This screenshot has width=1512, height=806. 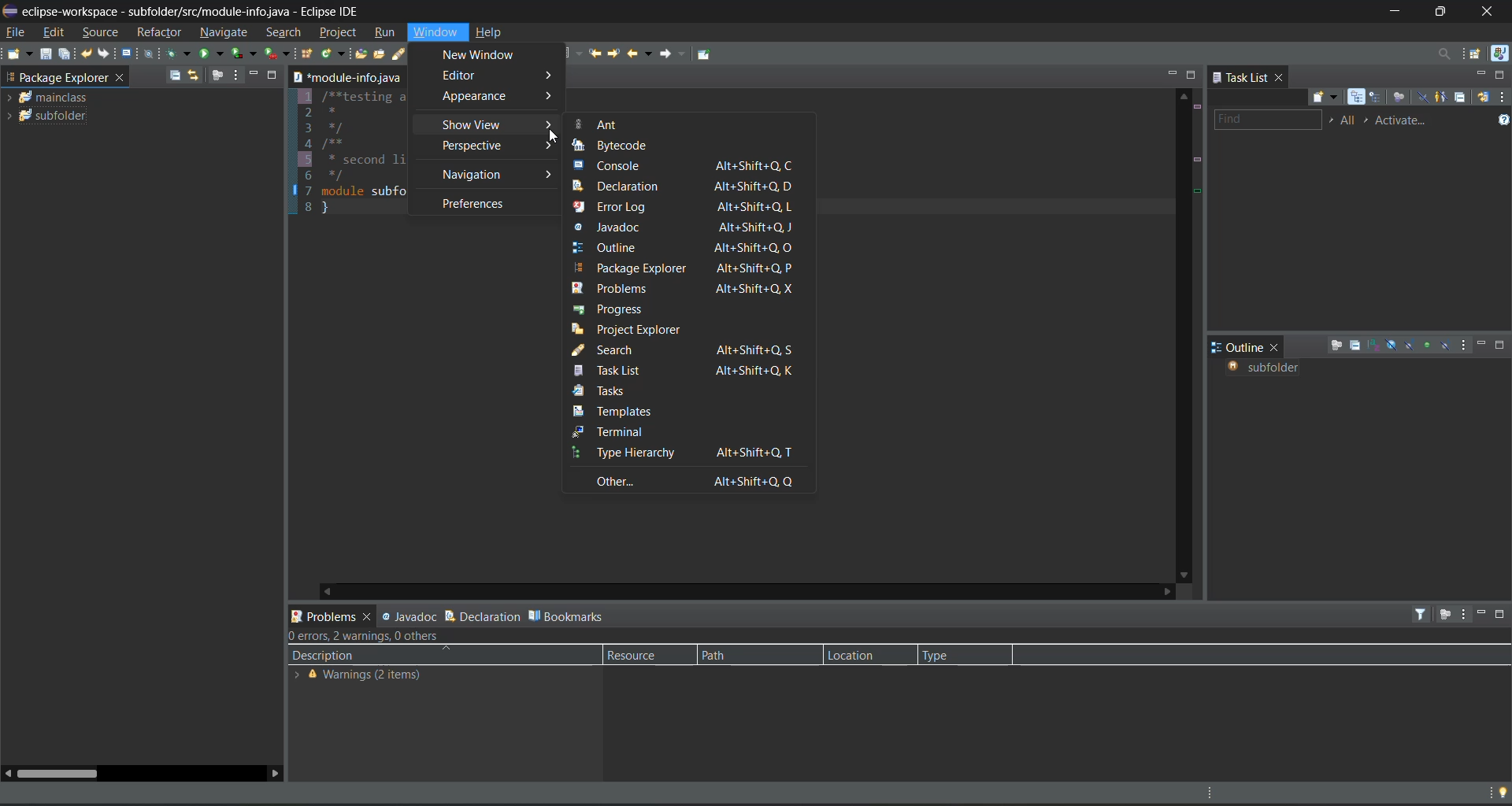 I want to click on other, so click(x=695, y=481).